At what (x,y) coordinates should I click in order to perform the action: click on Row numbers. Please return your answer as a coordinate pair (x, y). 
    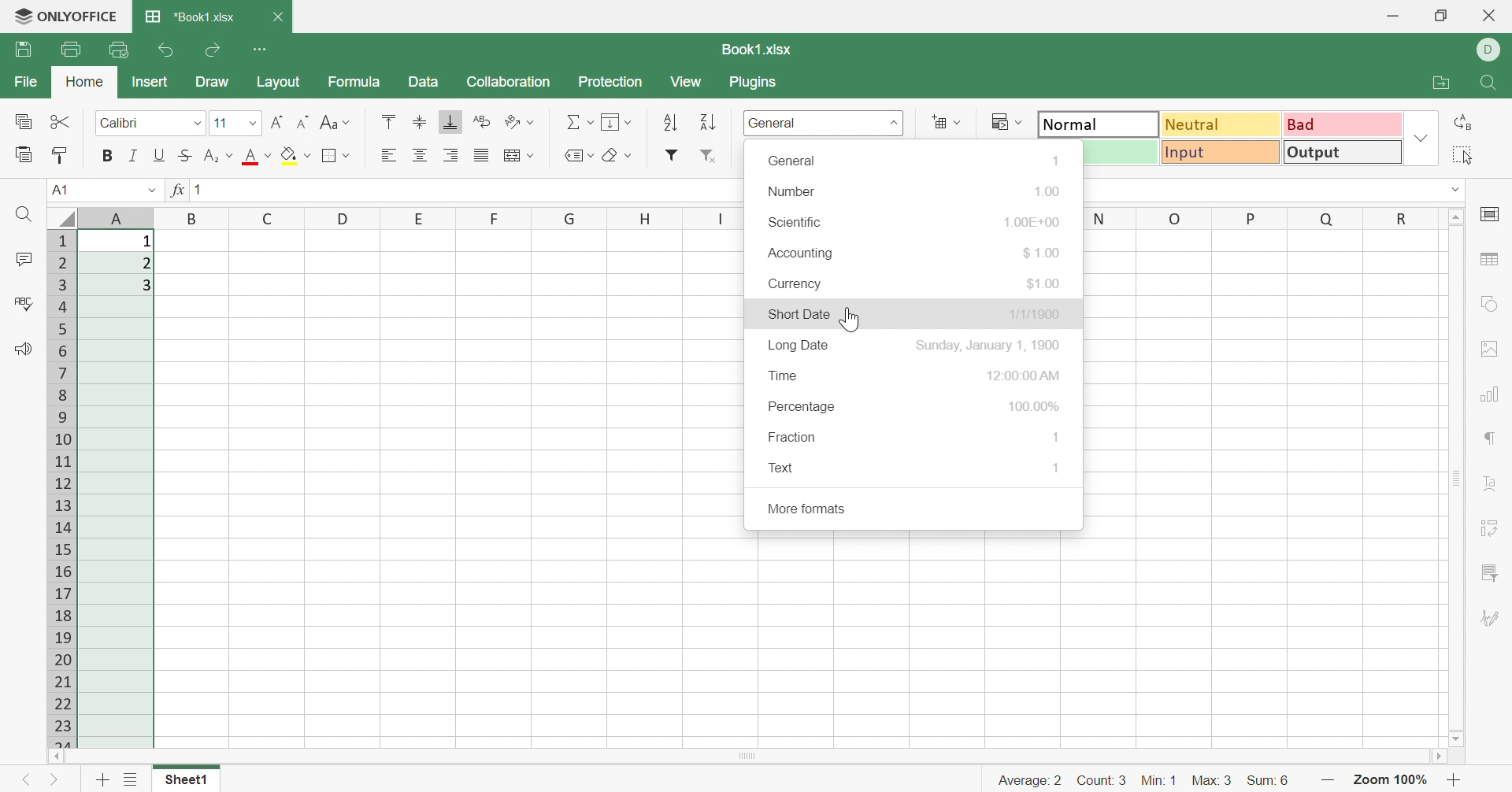
    Looking at the image, I should click on (62, 490).